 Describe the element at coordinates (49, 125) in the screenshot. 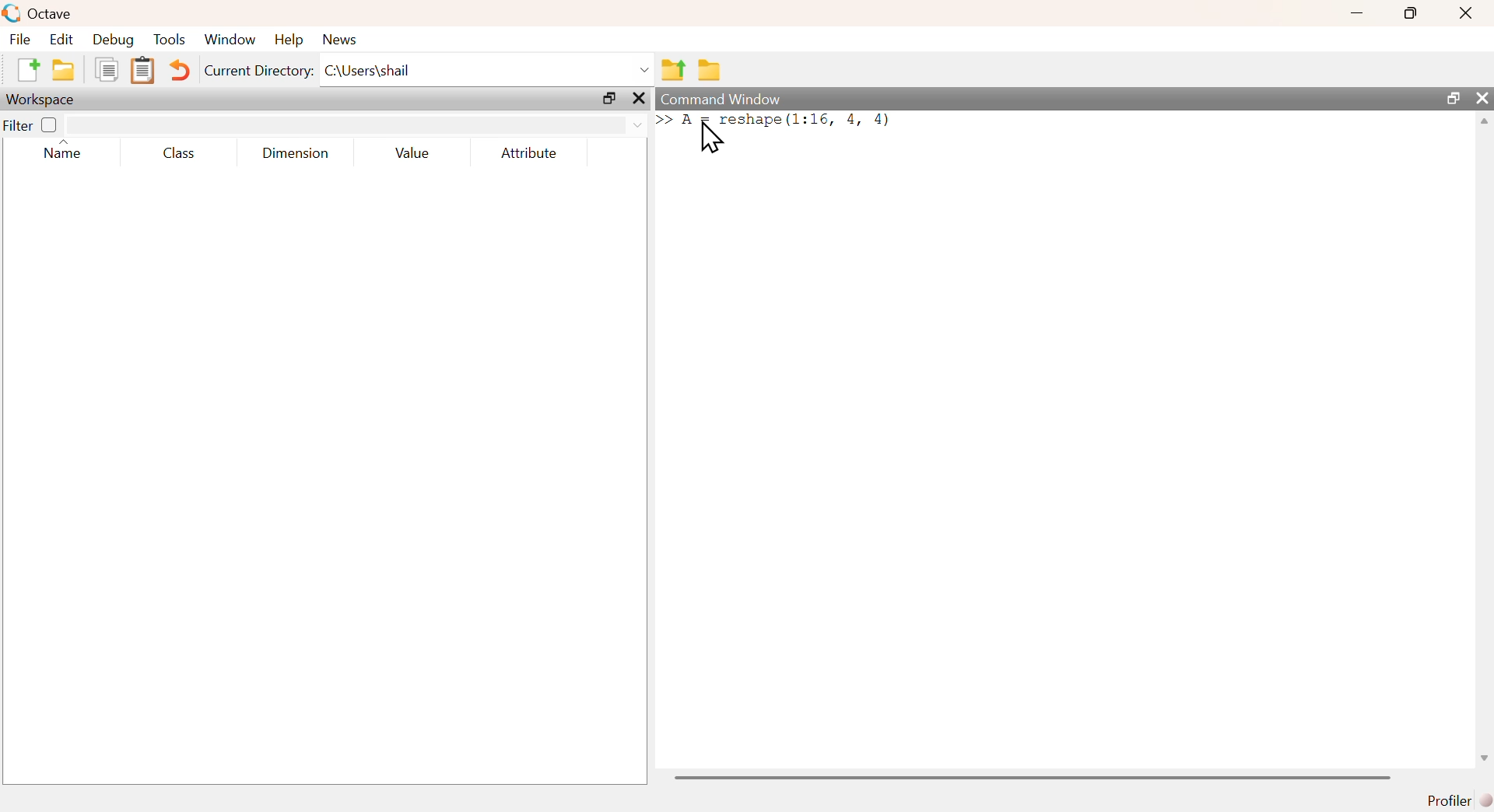

I see `off` at that location.